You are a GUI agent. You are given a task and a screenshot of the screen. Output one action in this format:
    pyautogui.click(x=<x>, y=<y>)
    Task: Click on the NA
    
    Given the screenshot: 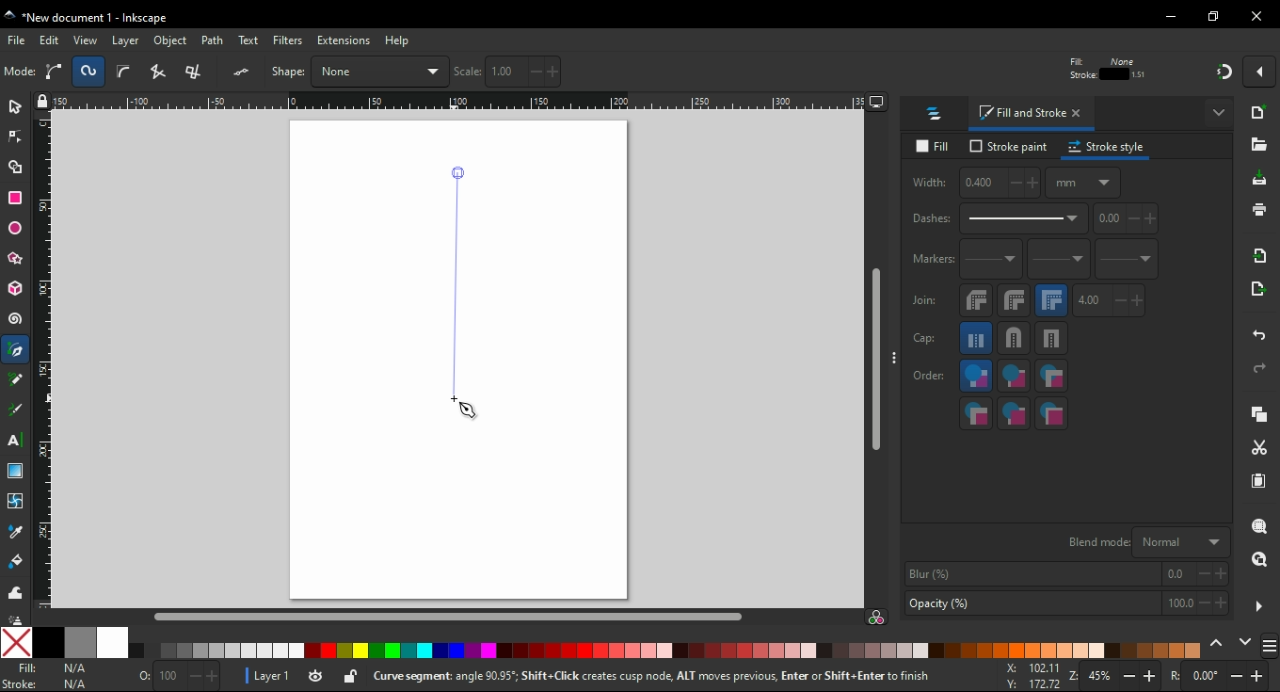 What is the action you would take?
    pyautogui.click(x=74, y=676)
    